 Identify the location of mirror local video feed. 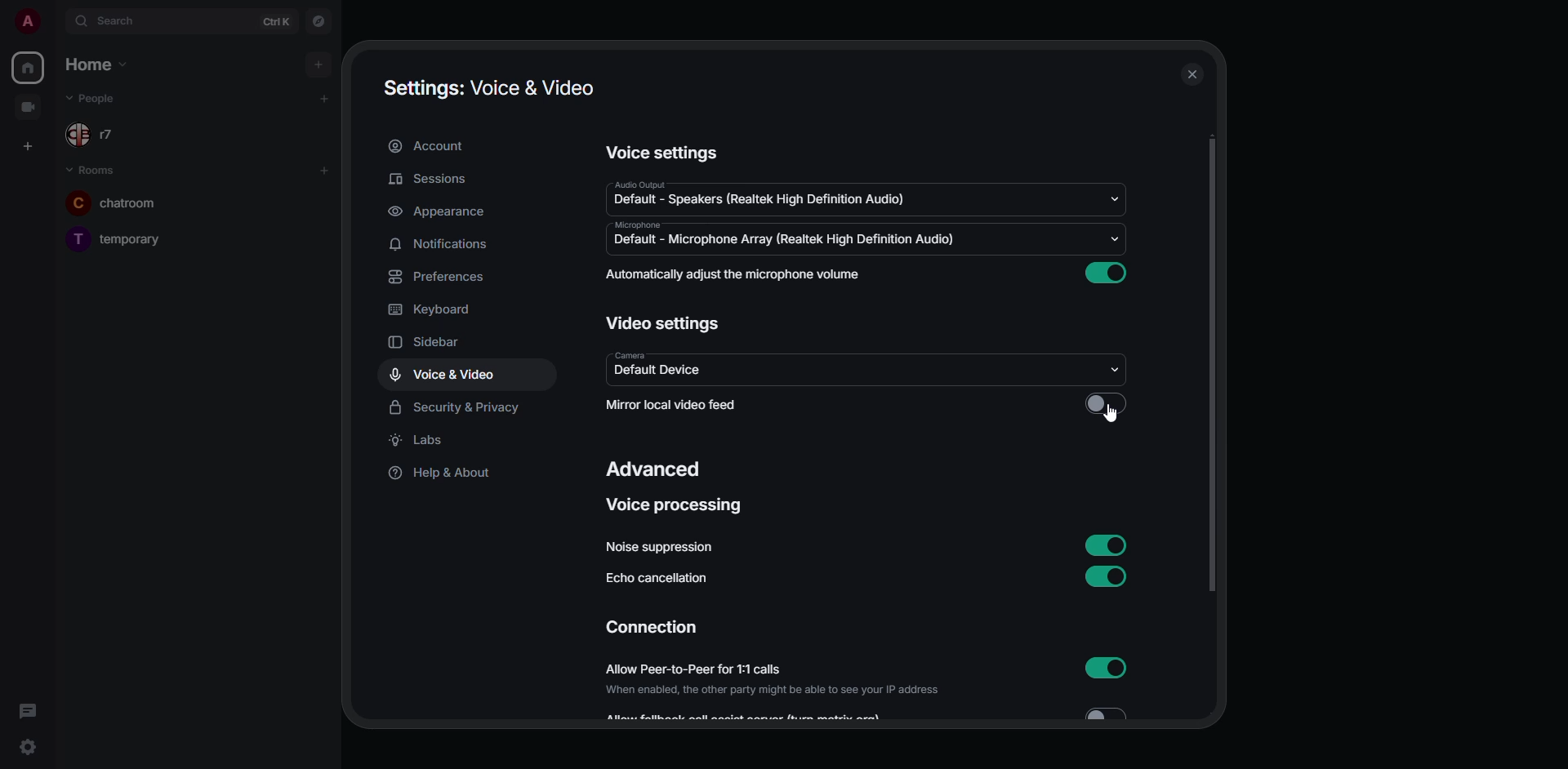
(676, 406).